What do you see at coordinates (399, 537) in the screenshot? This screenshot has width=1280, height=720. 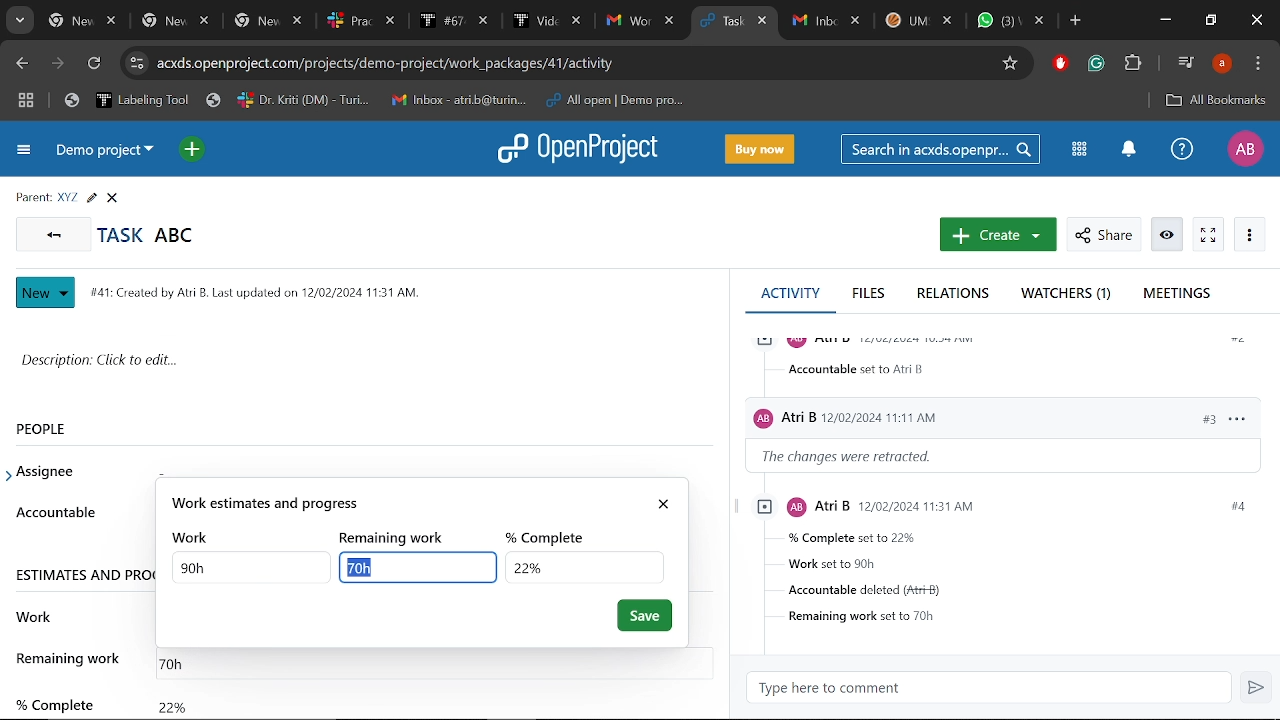 I see `remaining work` at bounding box center [399, 537].